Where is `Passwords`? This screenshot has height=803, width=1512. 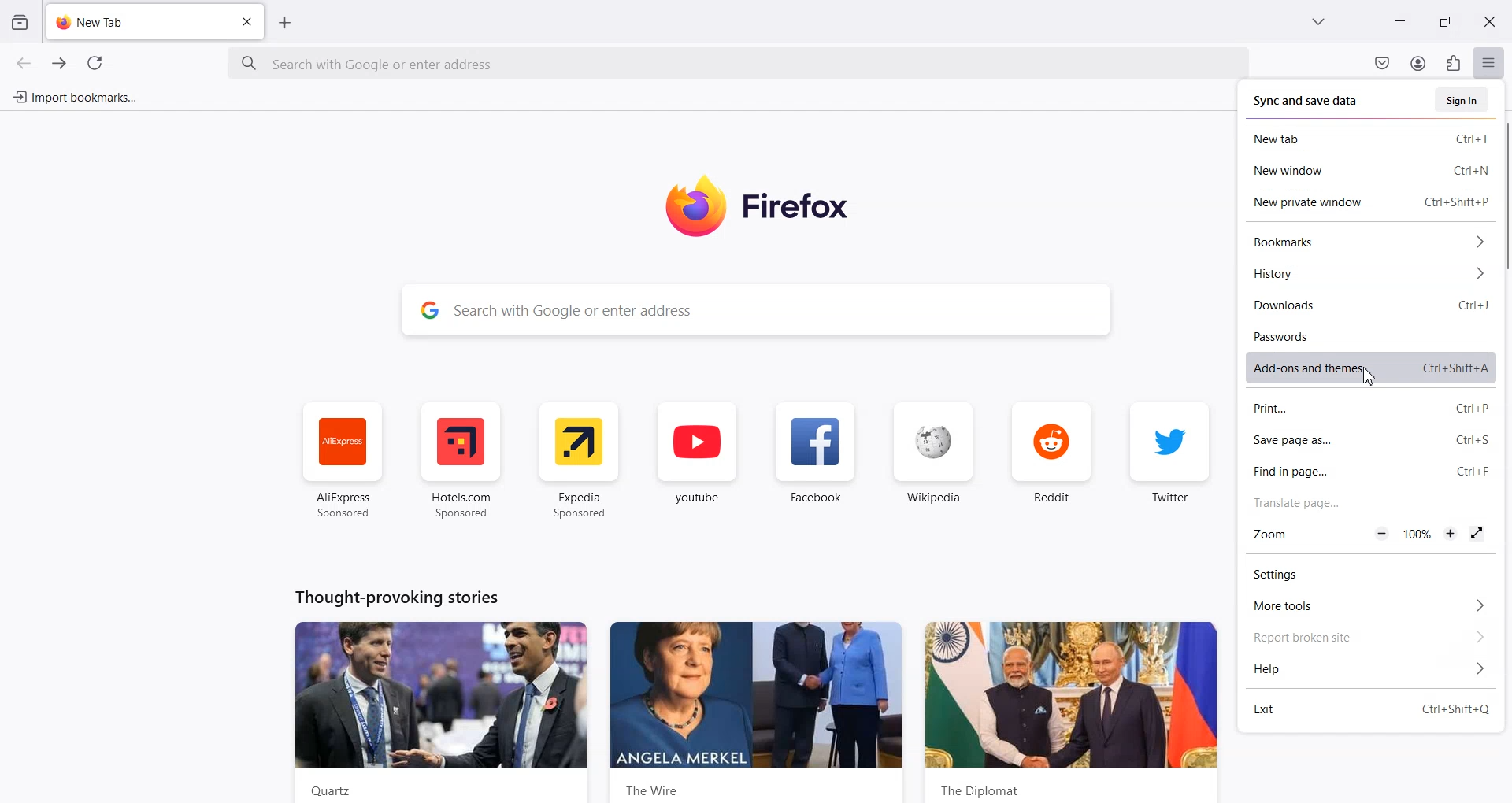
Passwords is located at coordinates (1367, 334).